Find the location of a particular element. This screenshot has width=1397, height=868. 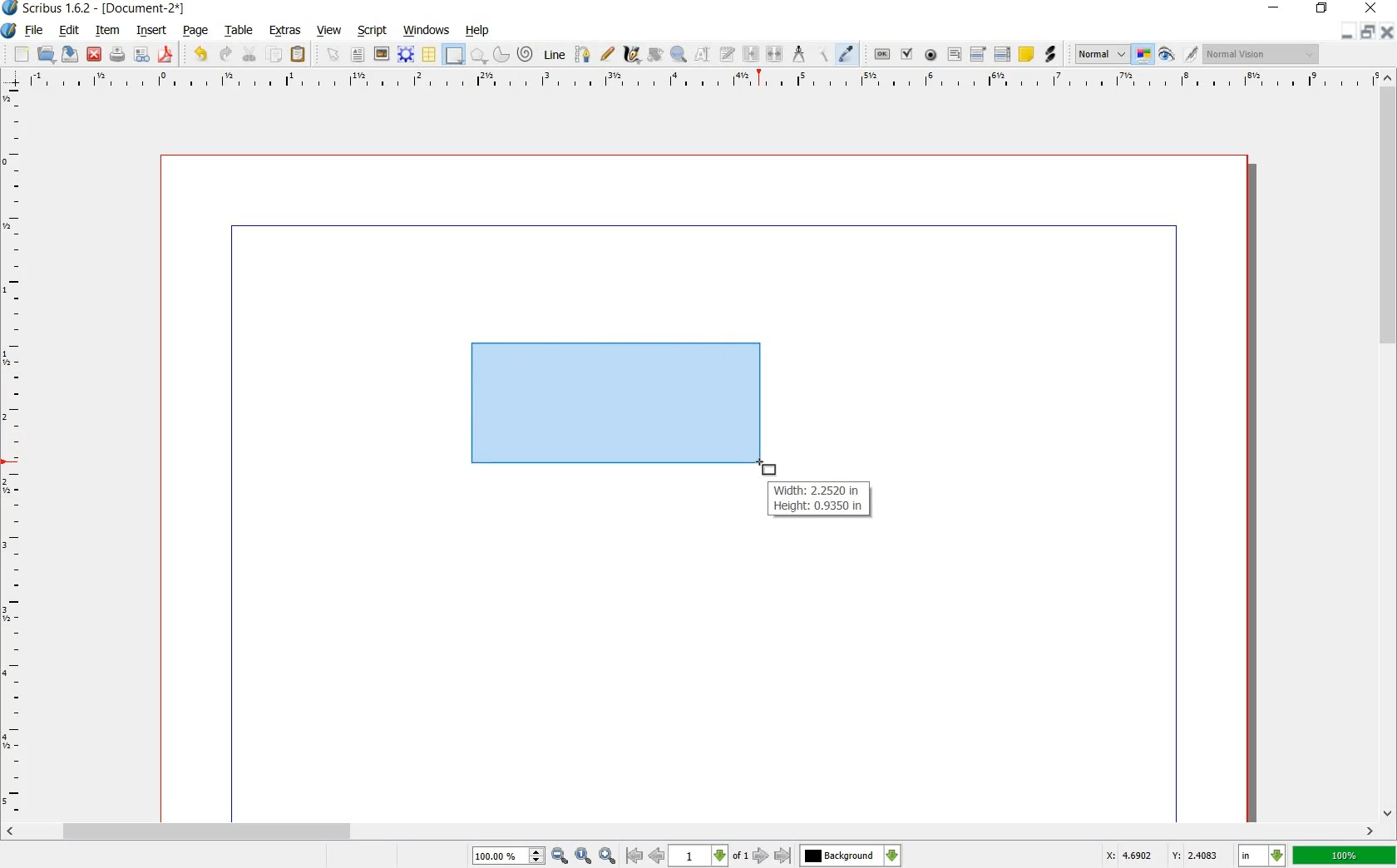

TEXT FRAME is located at coordinates (358, 55).